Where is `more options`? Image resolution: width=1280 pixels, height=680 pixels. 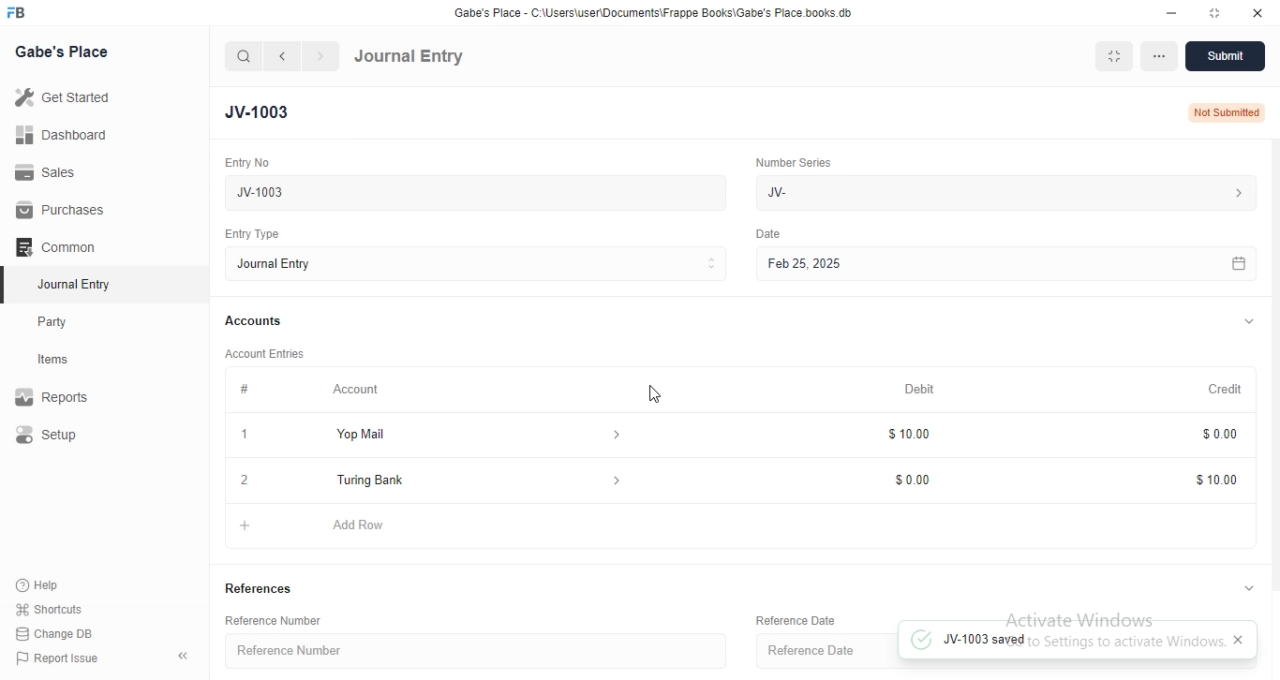 more options is located at coordinates (1158, 57).